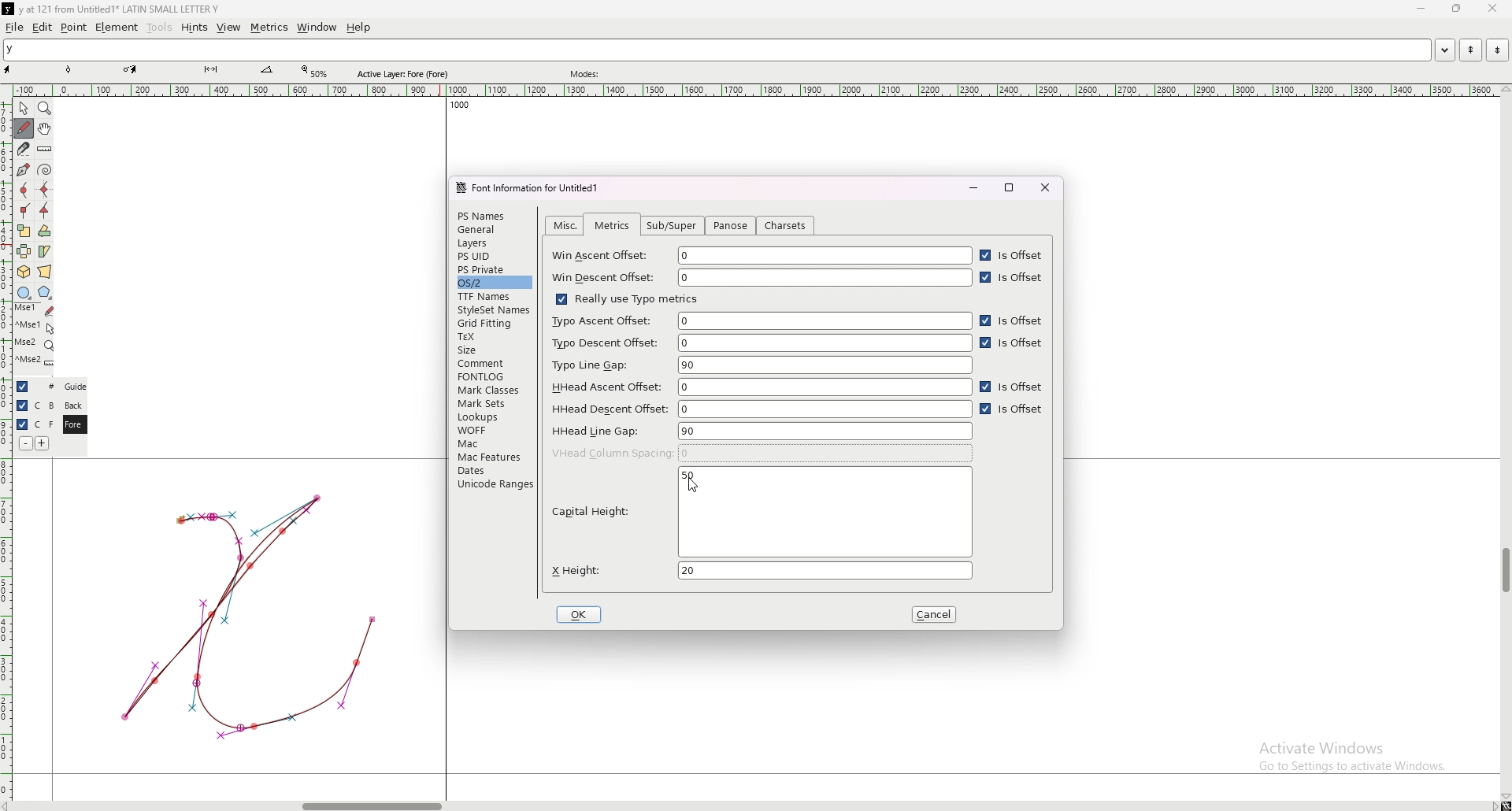  What do you see at coordinates (1493, 805) in the screenshot?
I see `scroll right` at bounding box center [1493, 805].